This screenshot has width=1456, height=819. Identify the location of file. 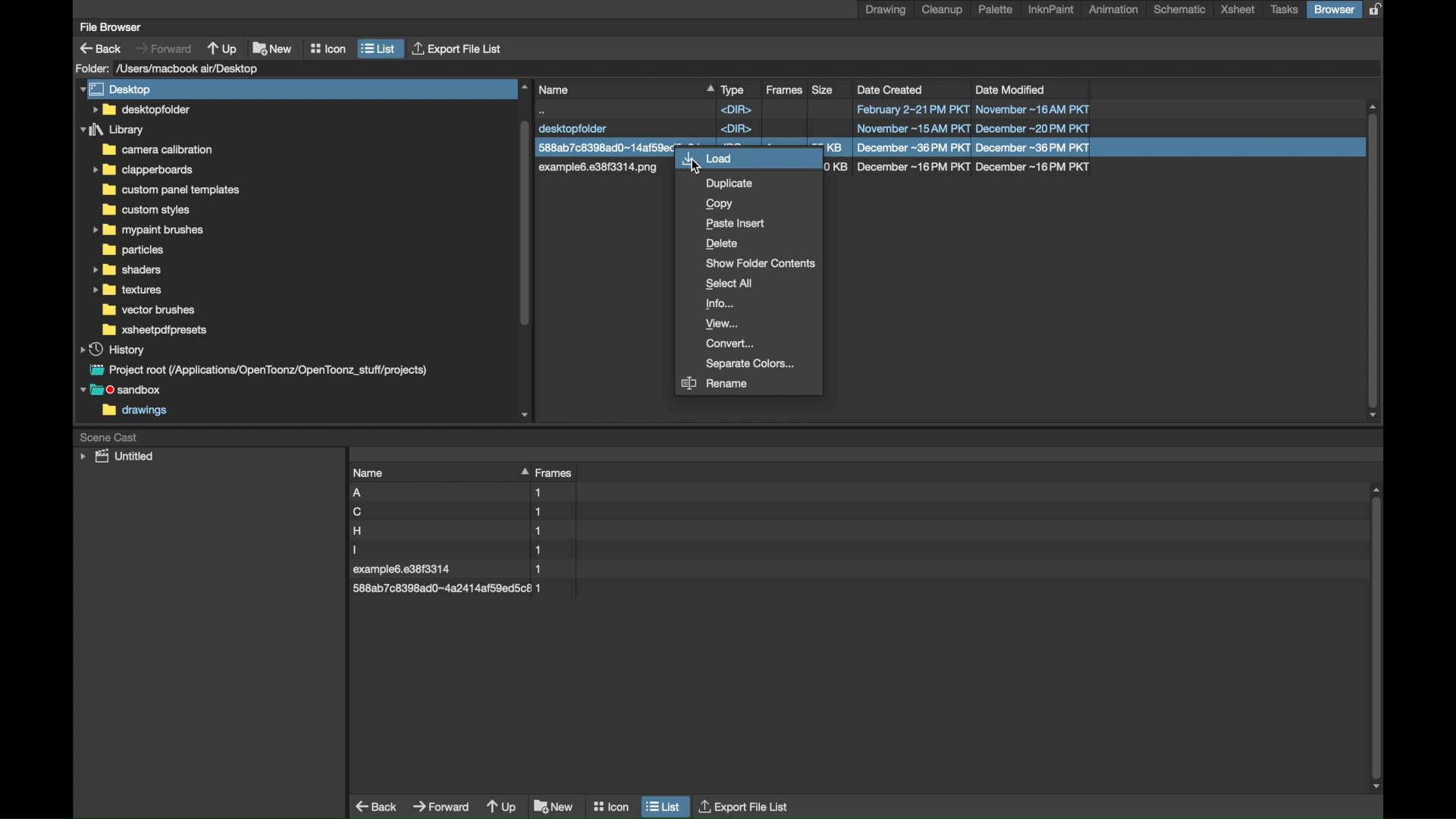
(447, 531).